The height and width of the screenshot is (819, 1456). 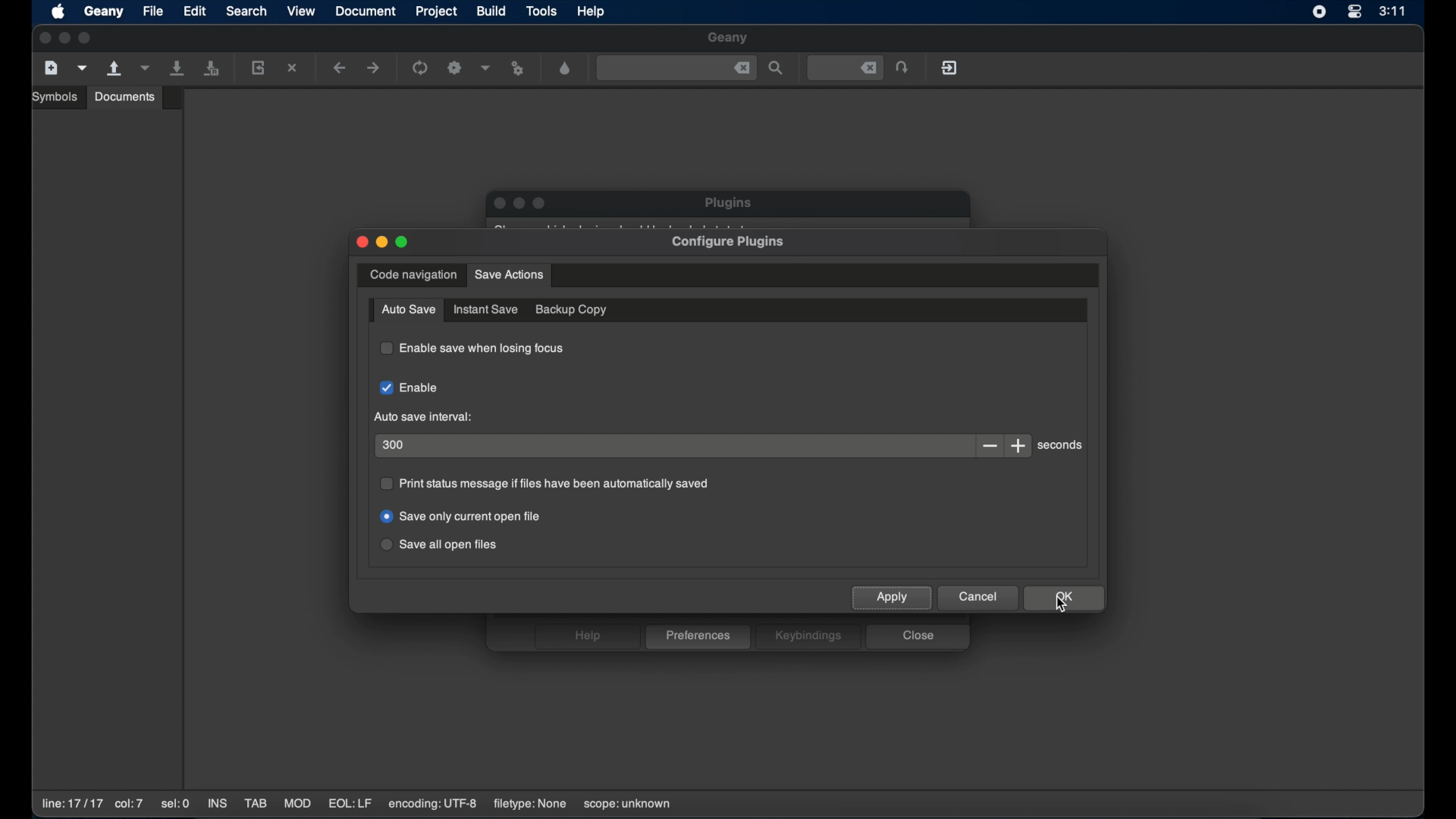 I want to click on geany, so click(x=729, y=39).